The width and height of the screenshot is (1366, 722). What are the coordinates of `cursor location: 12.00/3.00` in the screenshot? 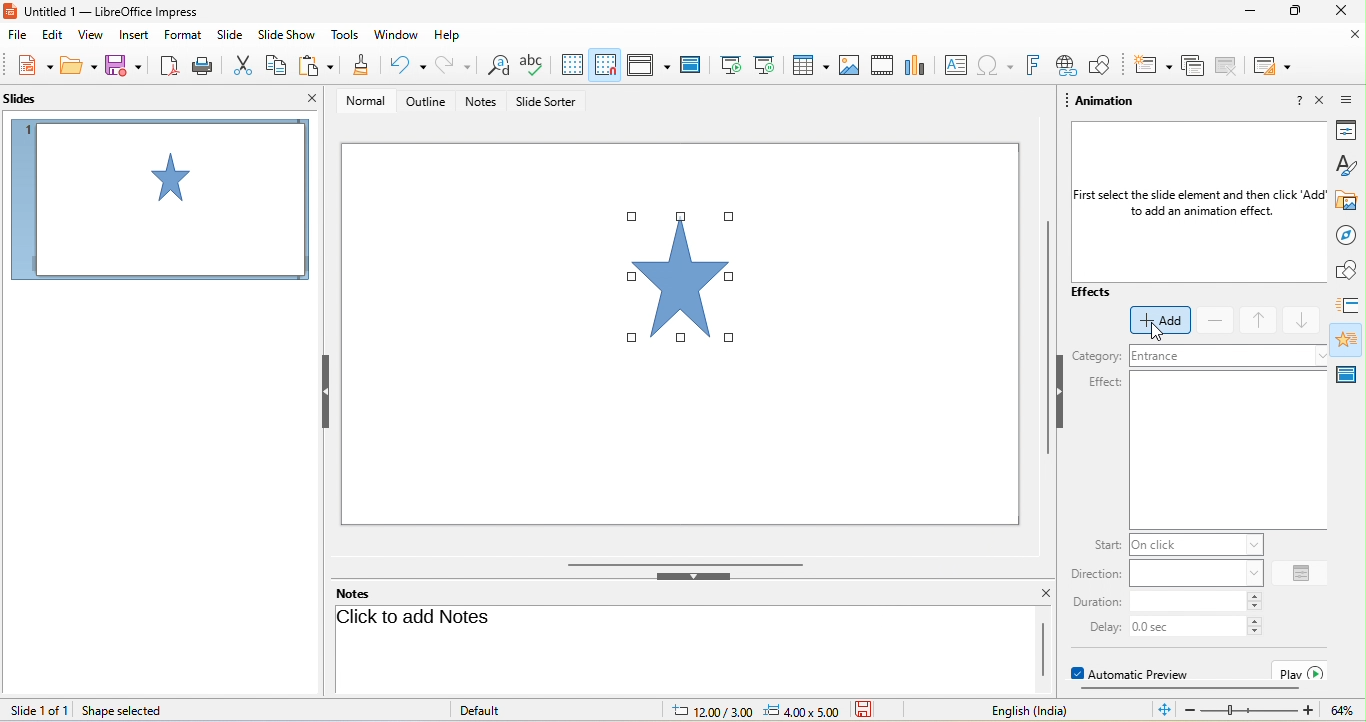 It's located at (711, 712).